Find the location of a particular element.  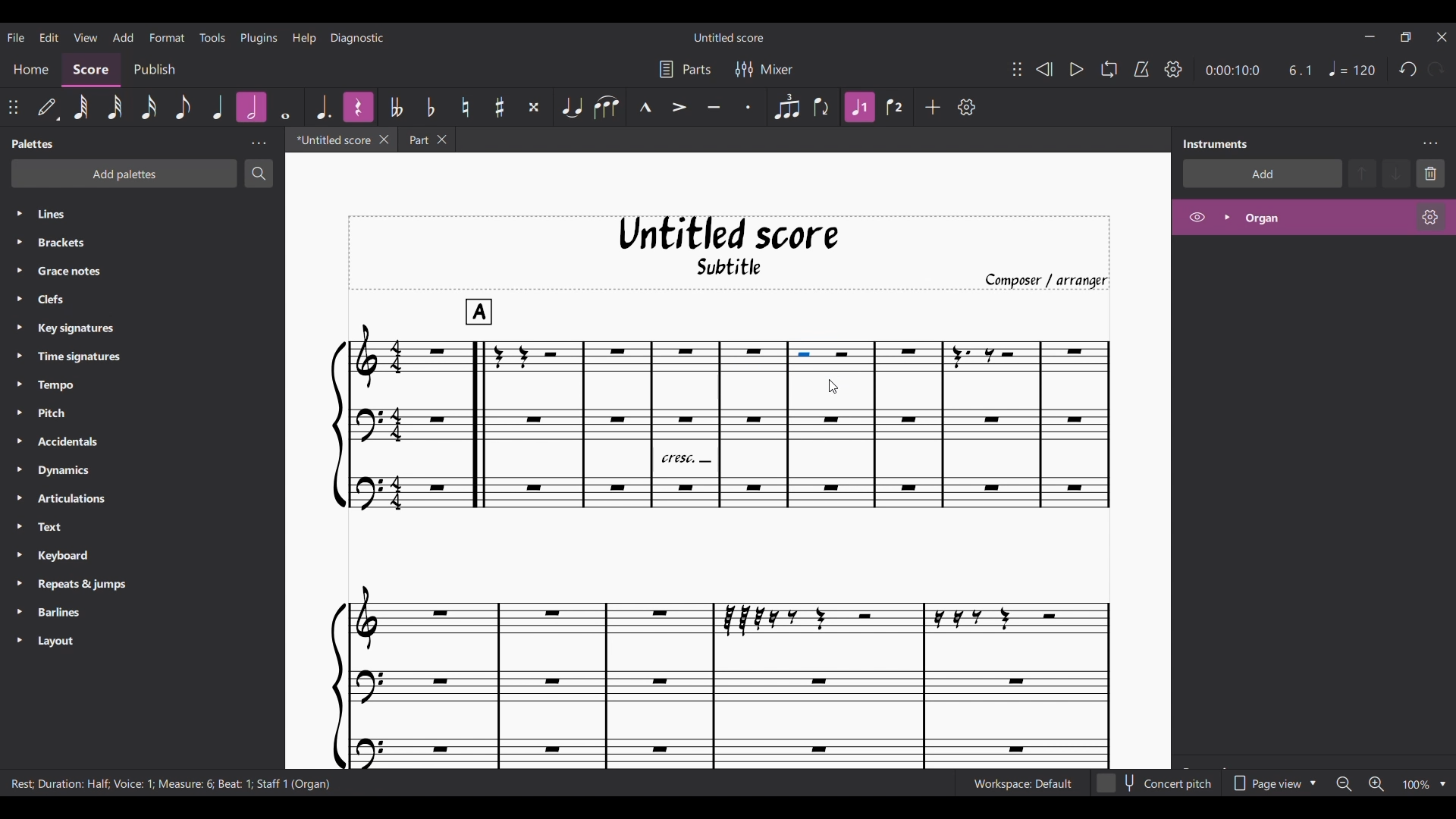

Mixer settings is located at coordinates (765, 70).